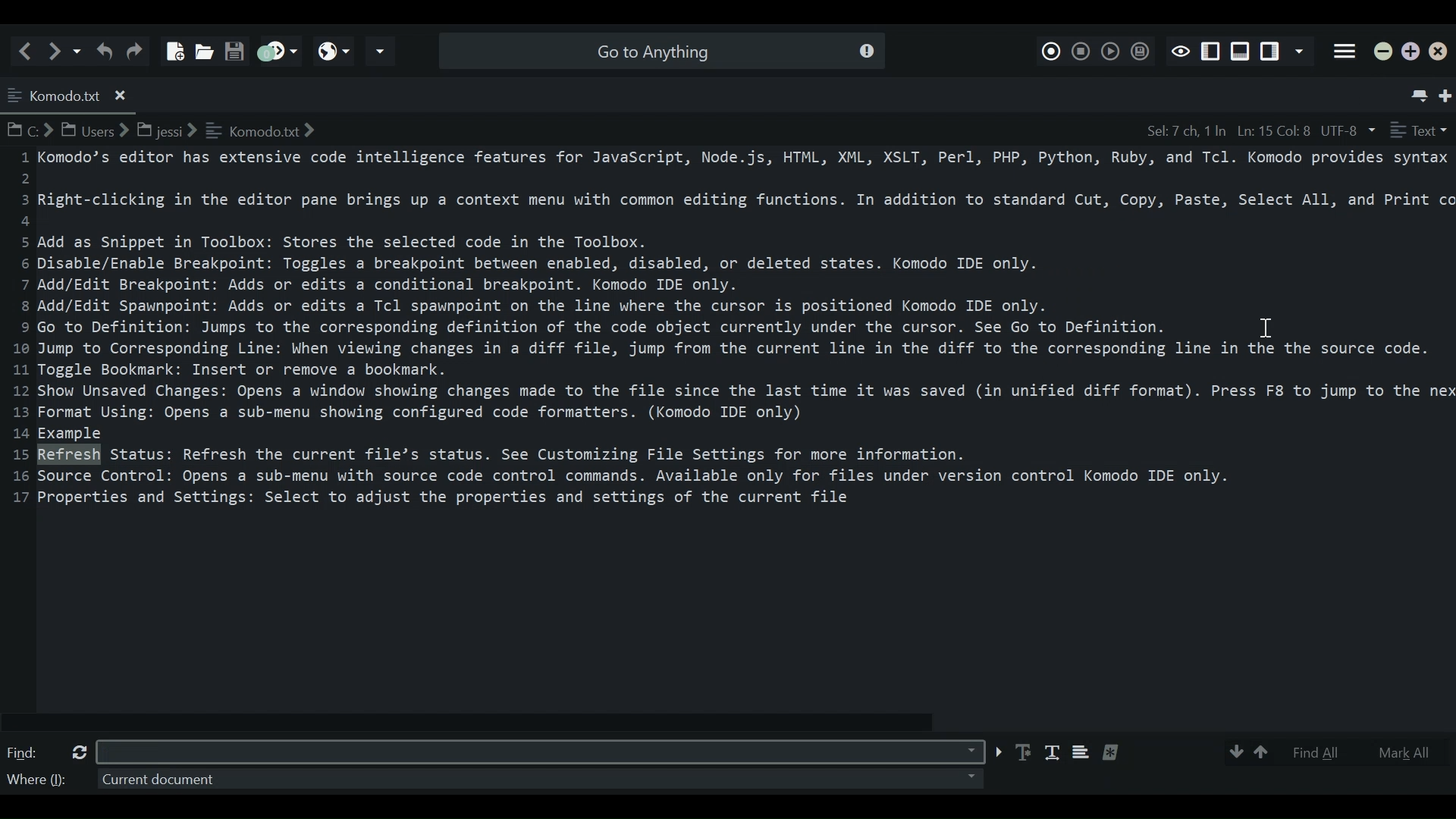 This screenshot has width=1456, height=819. I want to click on Find, so click(25, 753).